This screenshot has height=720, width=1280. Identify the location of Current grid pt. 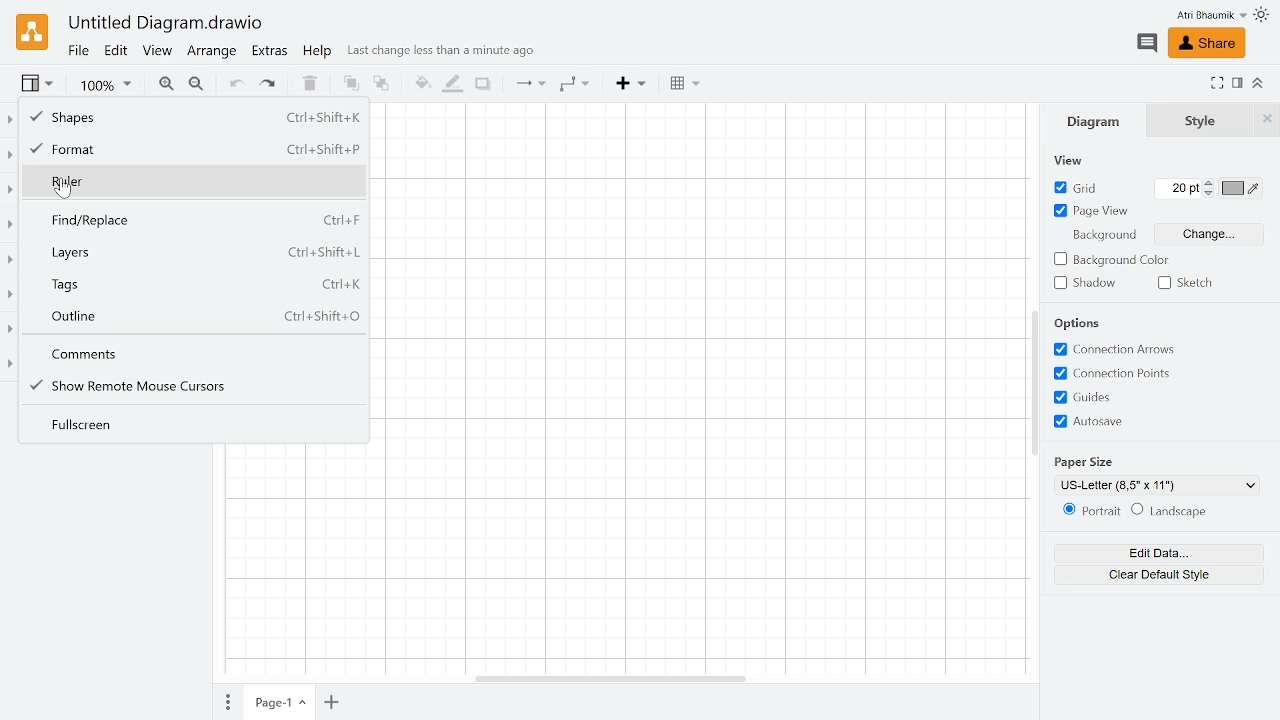
(1176, 190).